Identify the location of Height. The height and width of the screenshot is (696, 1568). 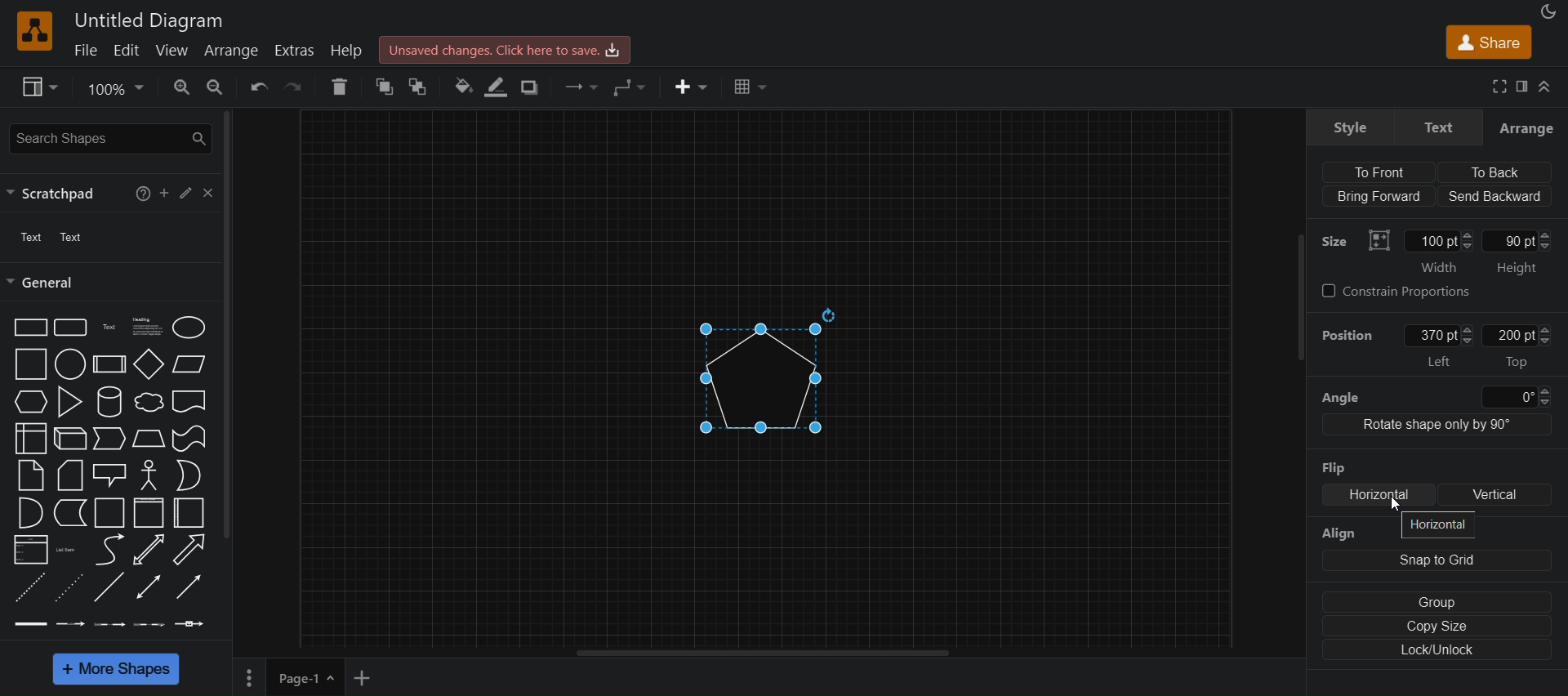
(1516, 269).